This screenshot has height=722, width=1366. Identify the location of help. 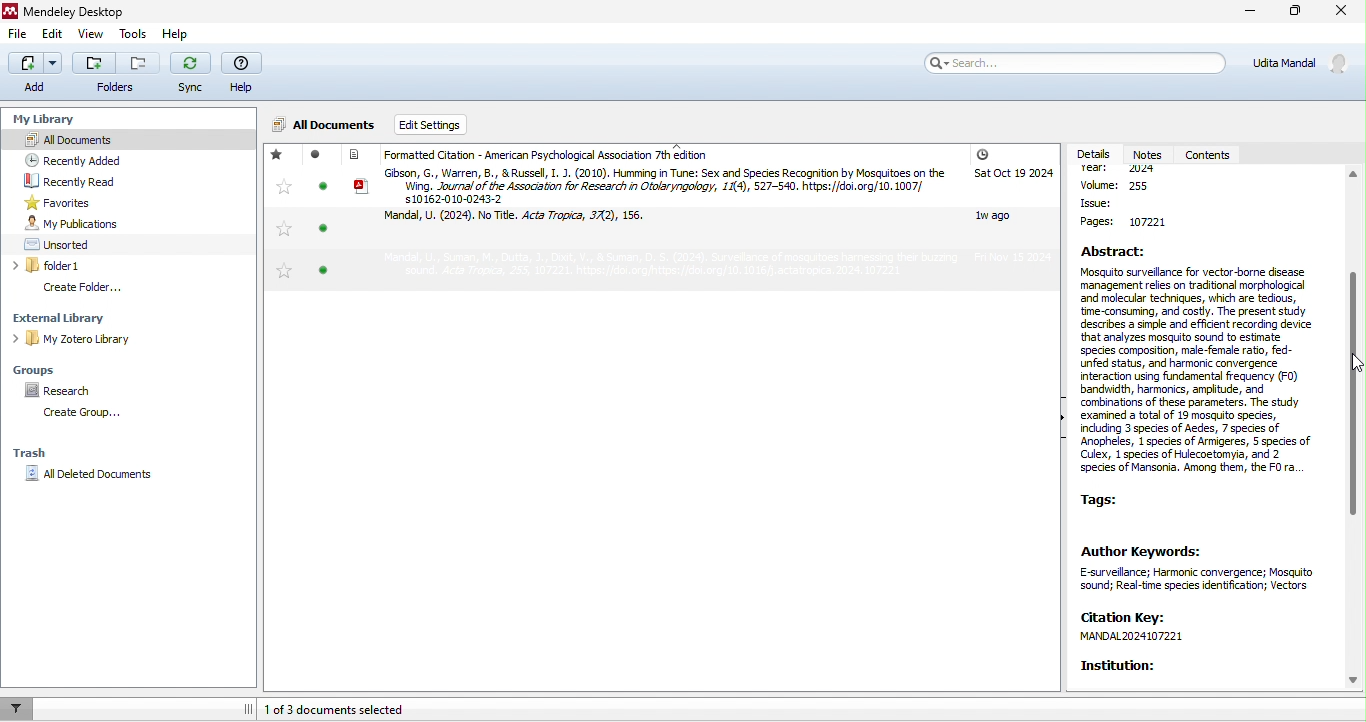
(173, 34).